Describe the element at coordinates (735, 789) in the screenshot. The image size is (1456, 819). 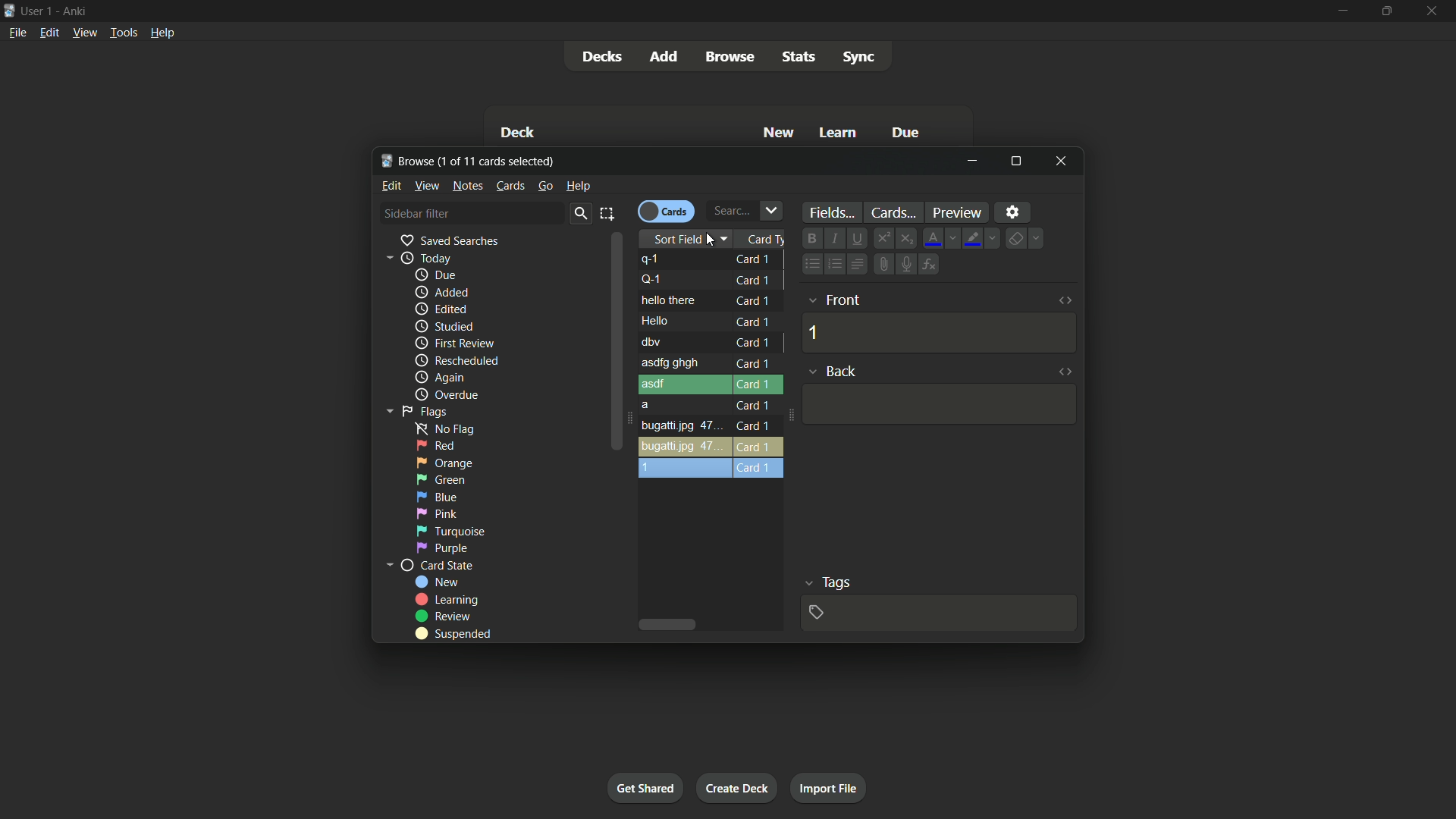
I see `create deck` at that location.